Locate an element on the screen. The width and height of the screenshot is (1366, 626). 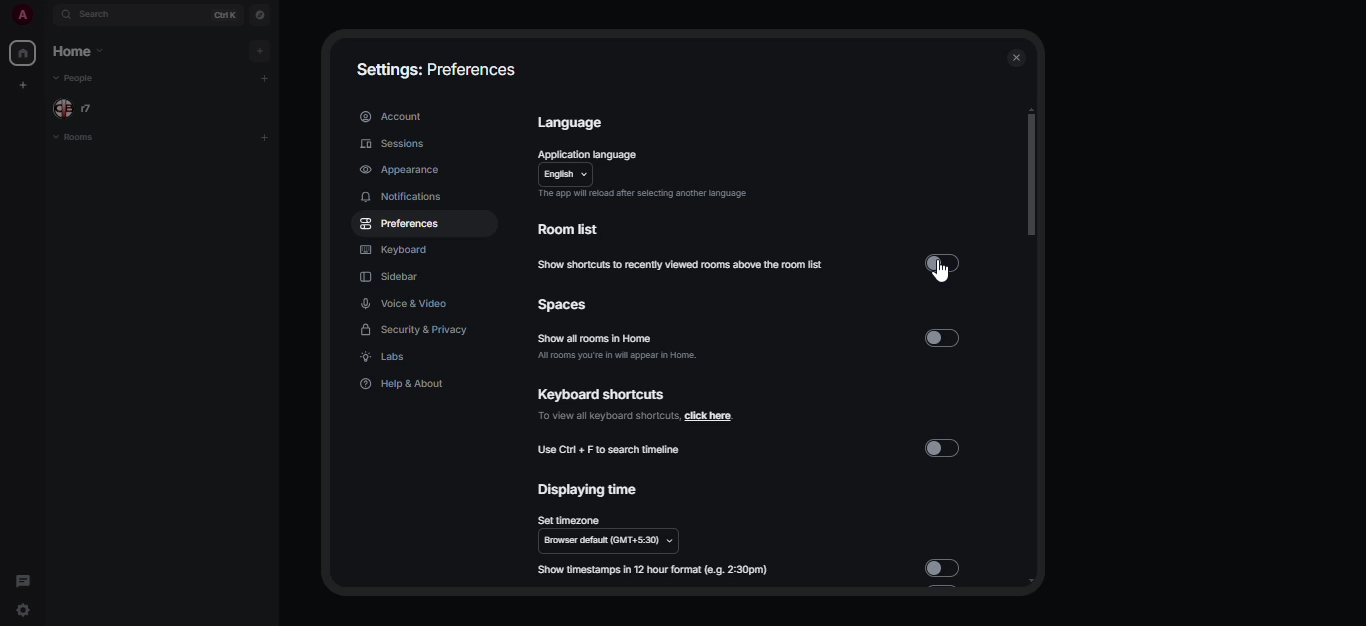
The app will reload after selecting another language is located at coordinates (640, 194).